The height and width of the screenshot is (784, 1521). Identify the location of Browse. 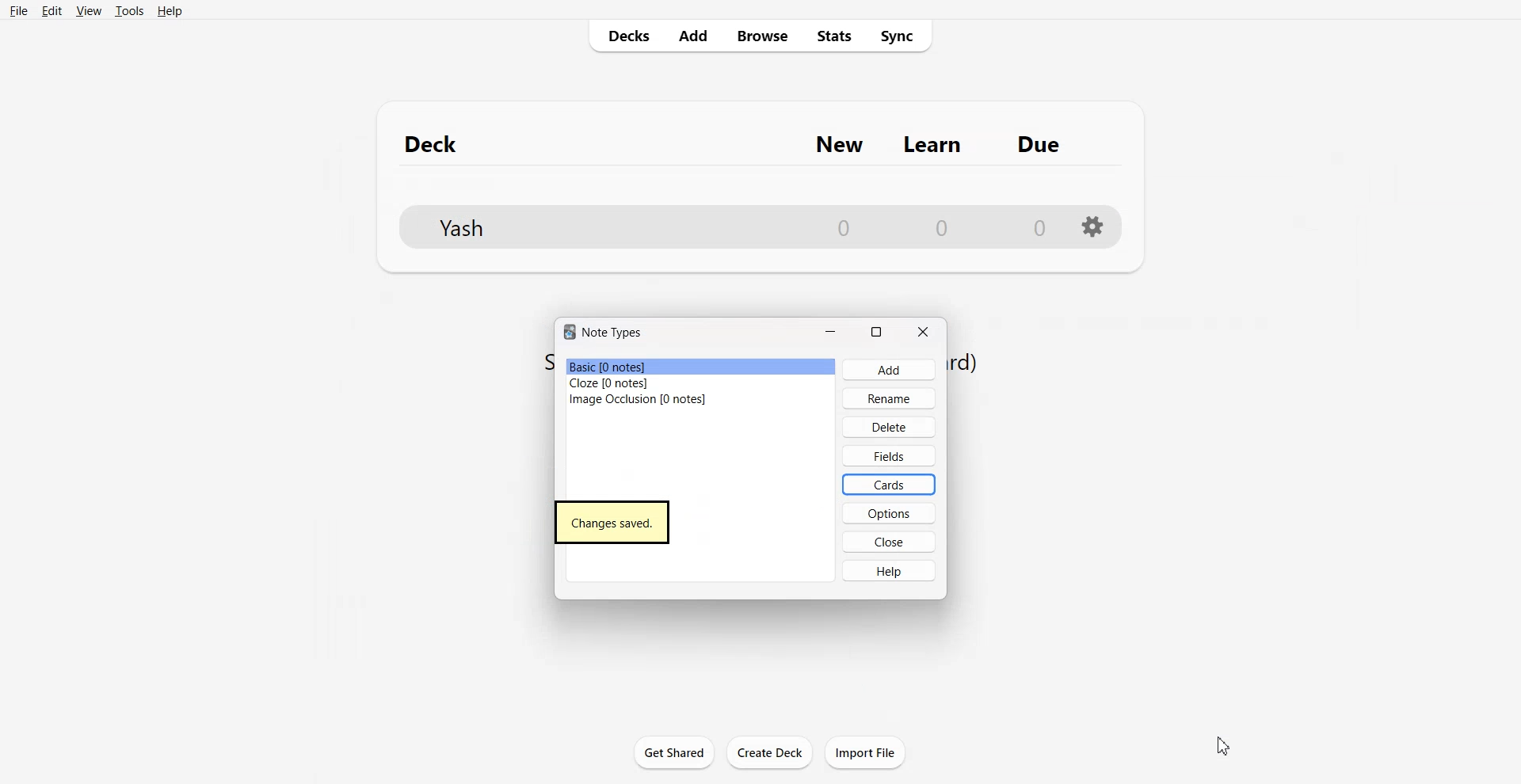
(760, 35).